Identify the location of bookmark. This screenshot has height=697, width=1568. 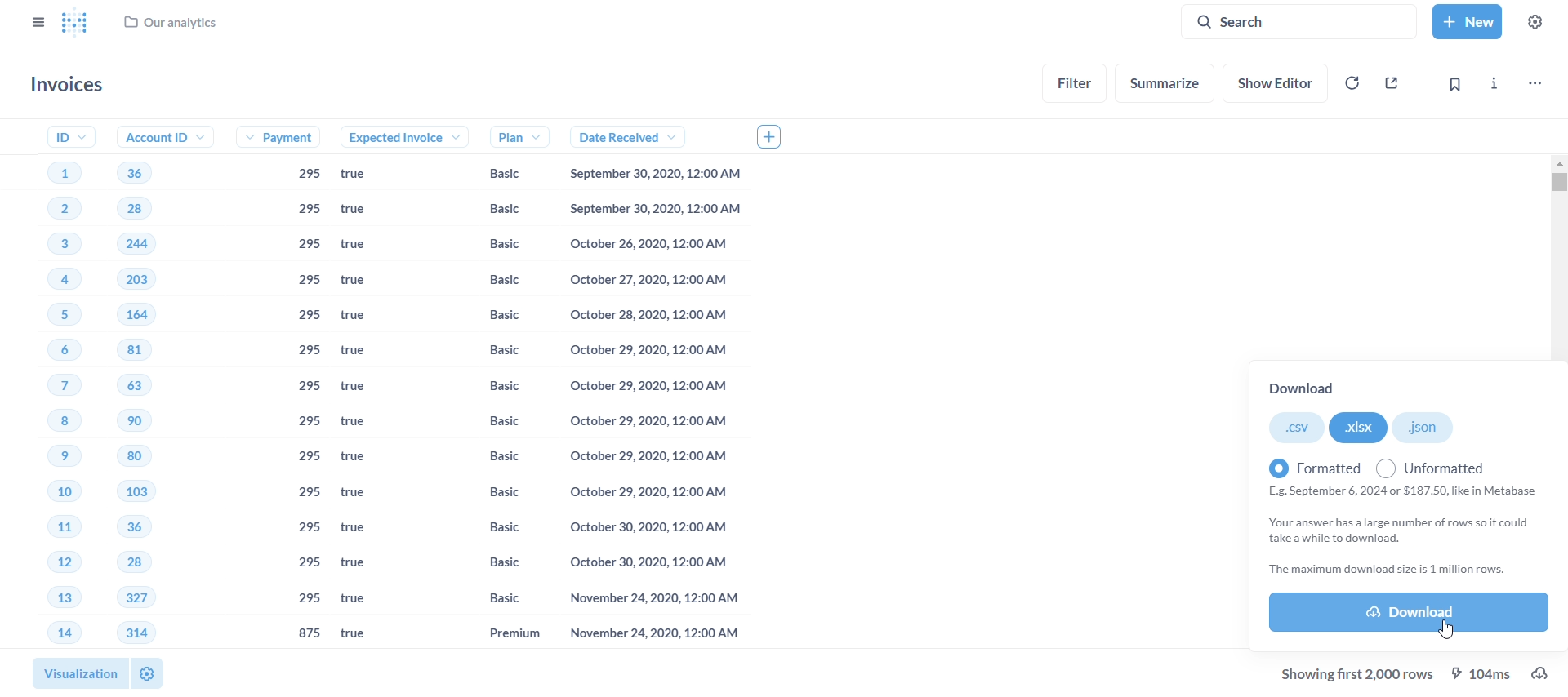
(1454, 84).